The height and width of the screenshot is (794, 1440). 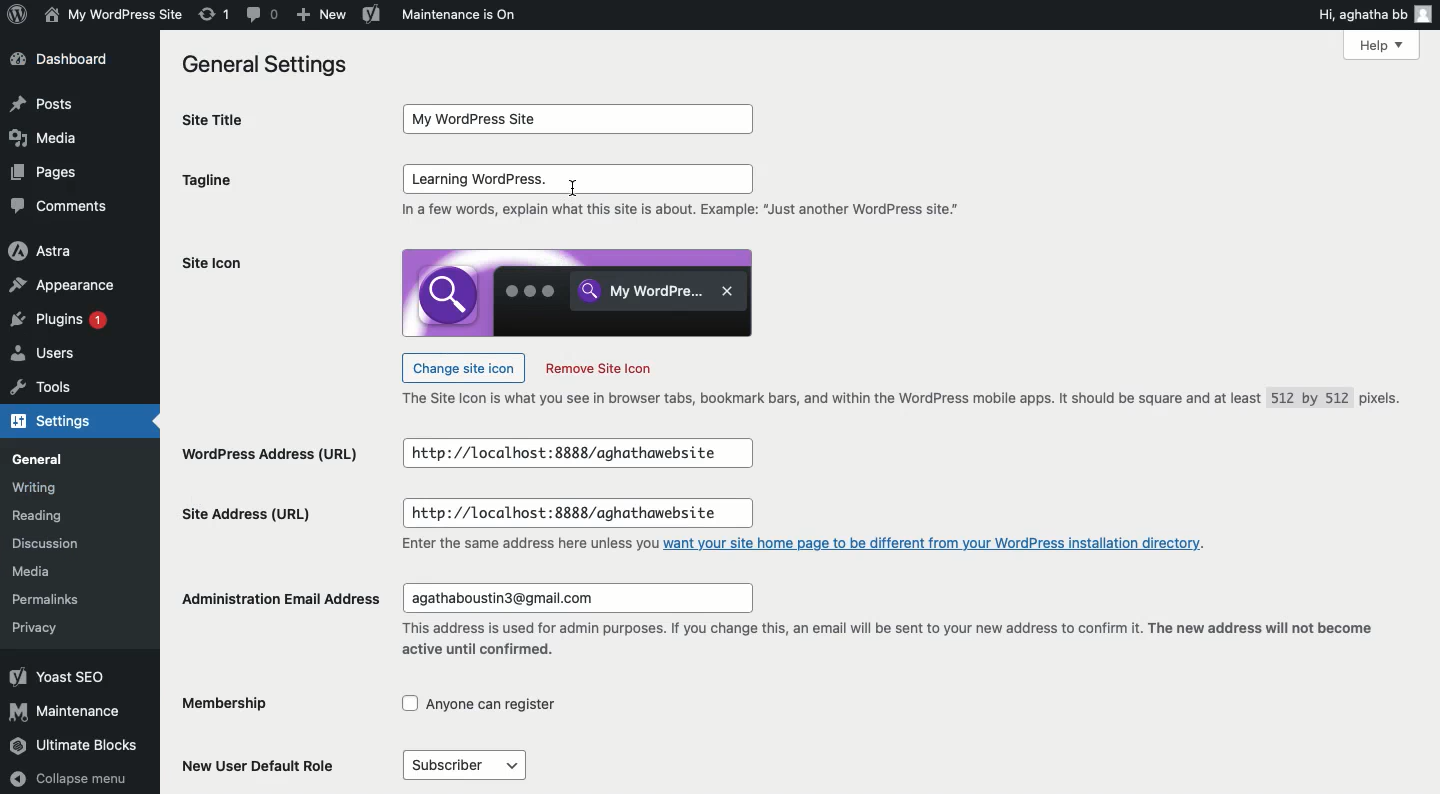 I want to click on Writing, so click(x=35, y=487).